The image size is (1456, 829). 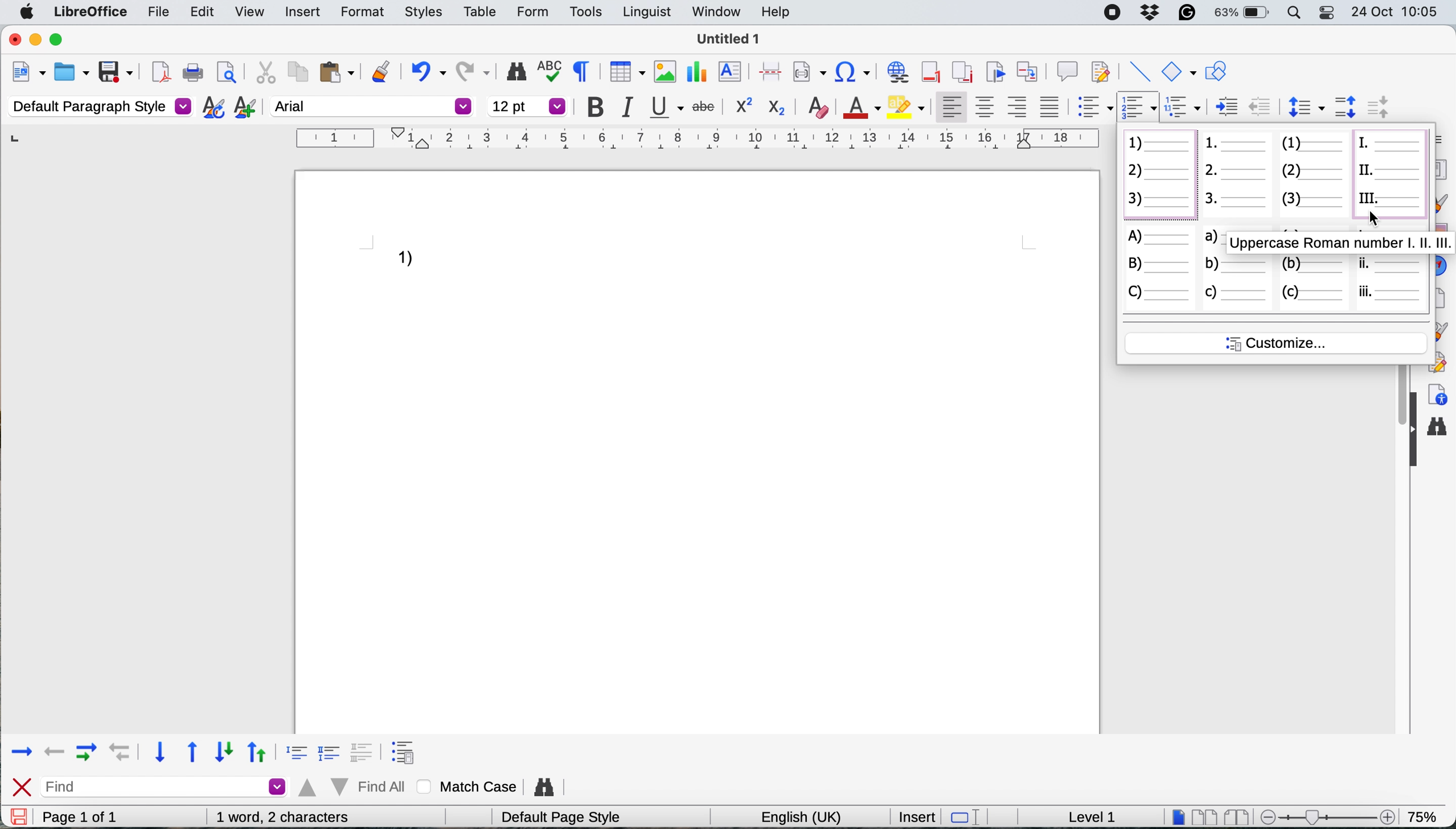 What do you see at coordinates (1242, 14) in the screenshot?
I see `63%` at bounding box center [1242, 14].